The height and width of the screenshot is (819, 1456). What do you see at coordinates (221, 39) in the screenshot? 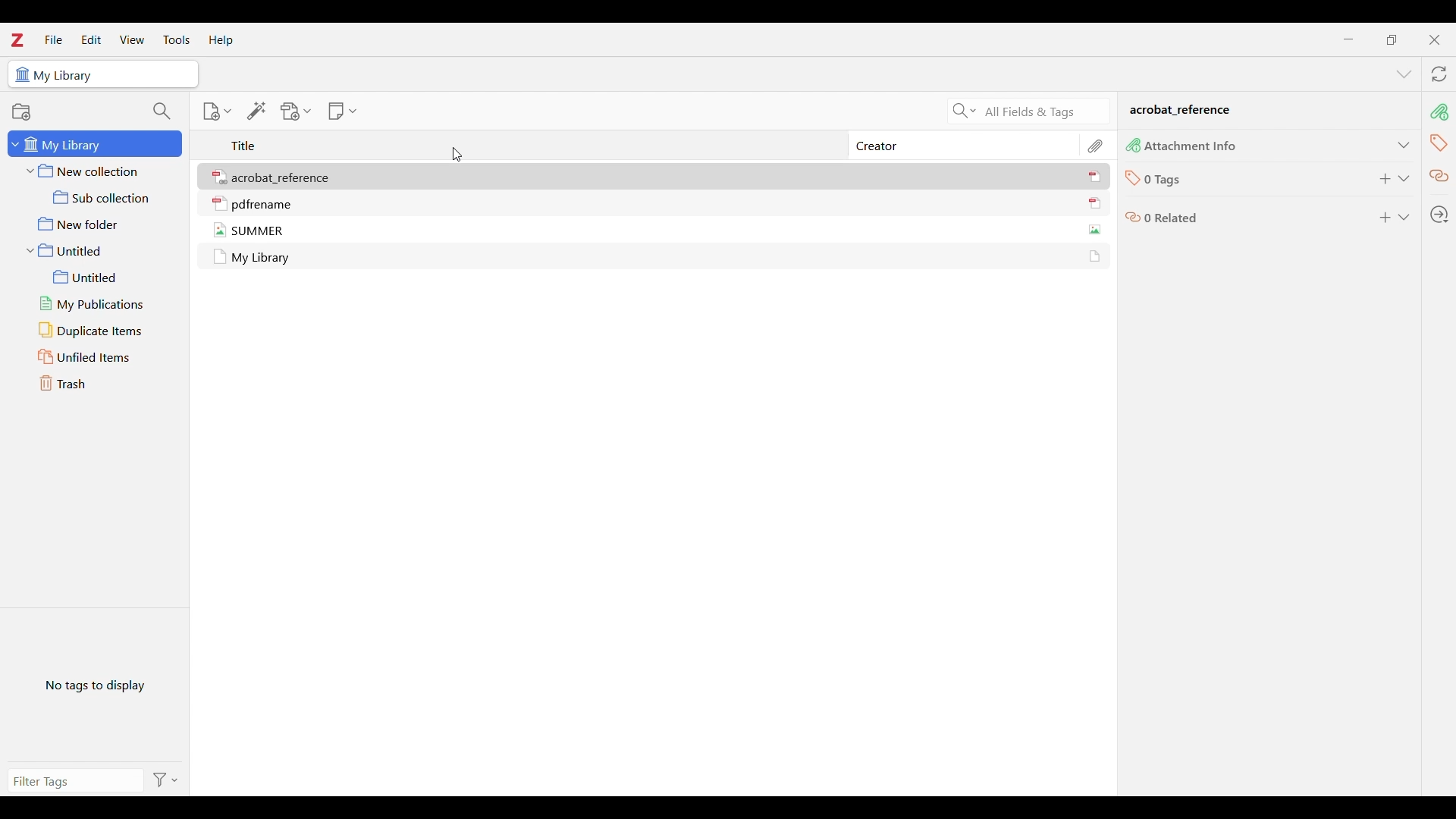
I see `Help menu` at bounding box center [221, 39].